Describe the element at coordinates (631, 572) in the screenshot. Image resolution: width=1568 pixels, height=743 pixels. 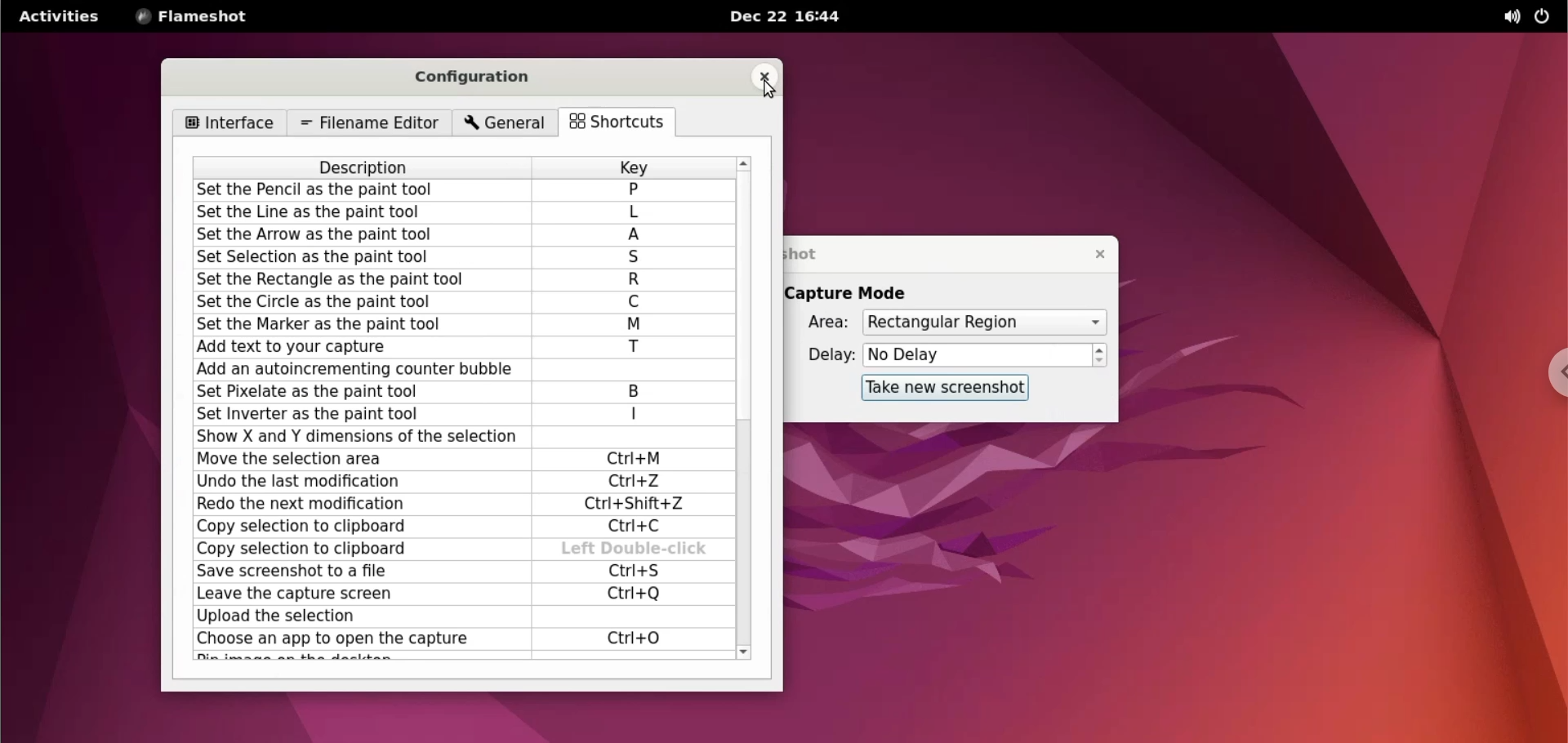
I see `Ctrl + S` at that location.